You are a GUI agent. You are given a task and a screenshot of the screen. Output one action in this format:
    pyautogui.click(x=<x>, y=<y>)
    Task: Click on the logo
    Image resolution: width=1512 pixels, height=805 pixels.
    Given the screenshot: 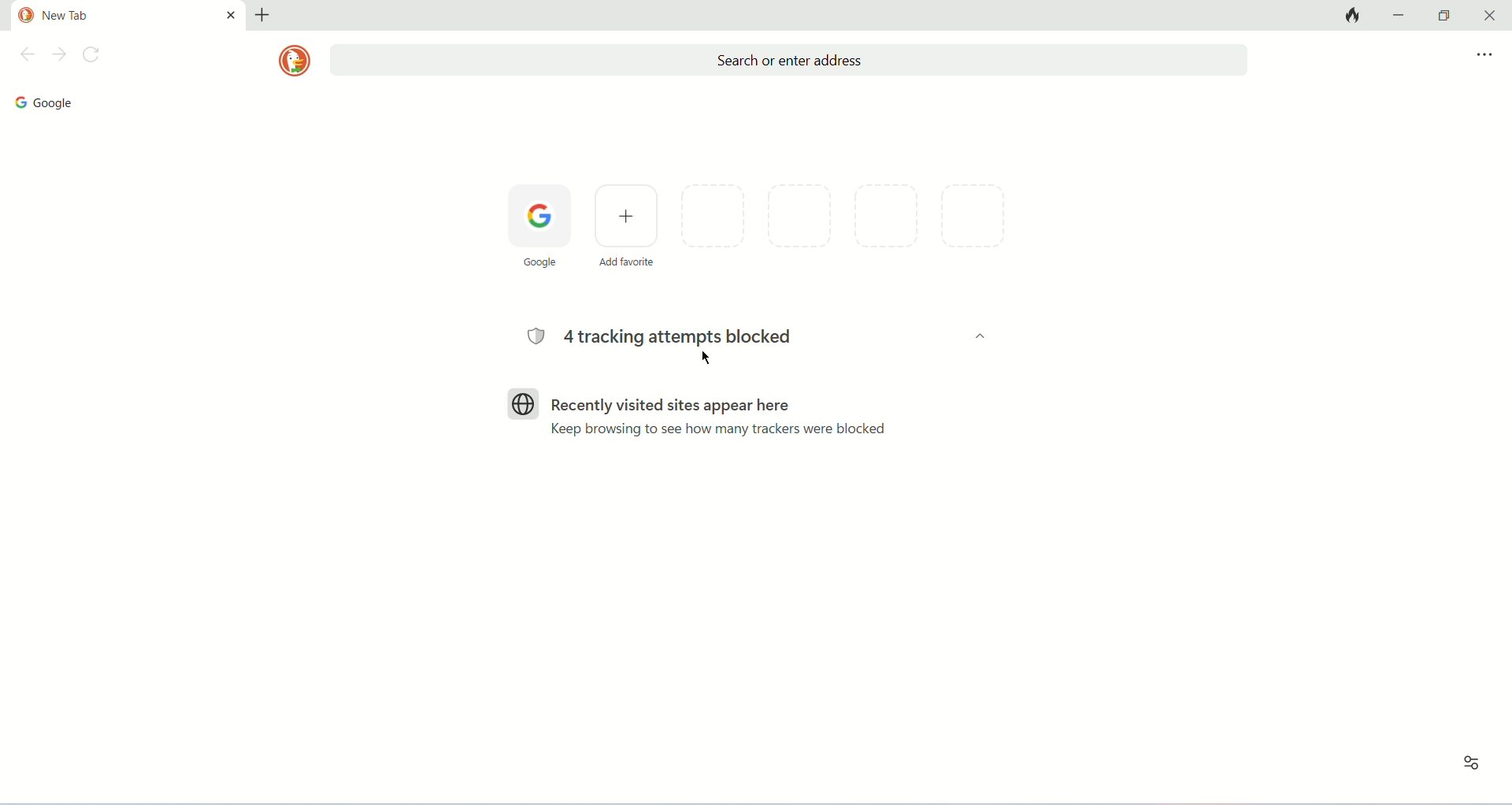 What is the action you would take?
    pyautogui.click(x=294, y=61)
    